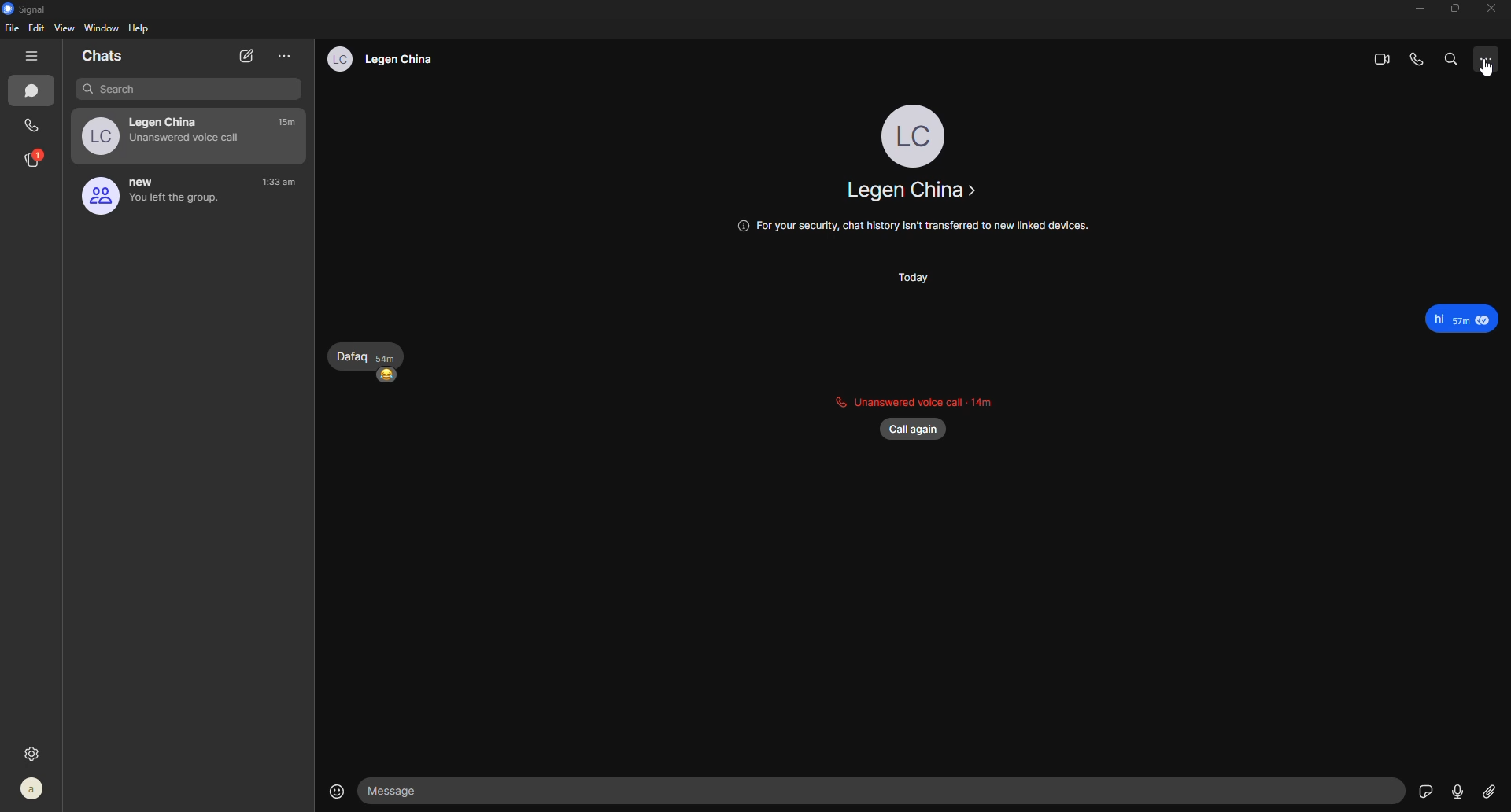 The width and height of the screenshot is (1511, 812). I want to click on message, so click(403, 788).